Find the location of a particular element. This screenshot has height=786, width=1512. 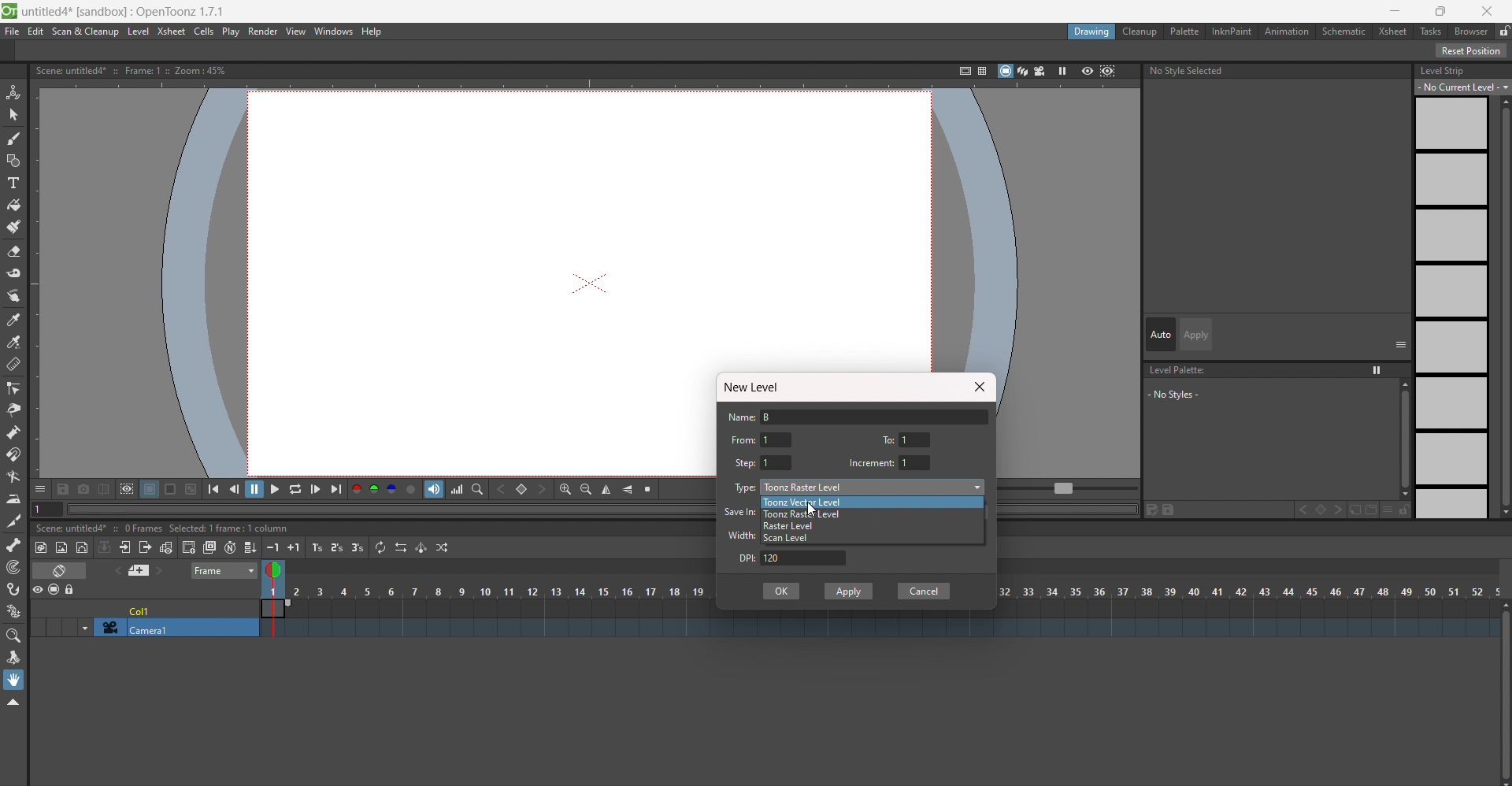

scan level is located at coordinates (791, 538).